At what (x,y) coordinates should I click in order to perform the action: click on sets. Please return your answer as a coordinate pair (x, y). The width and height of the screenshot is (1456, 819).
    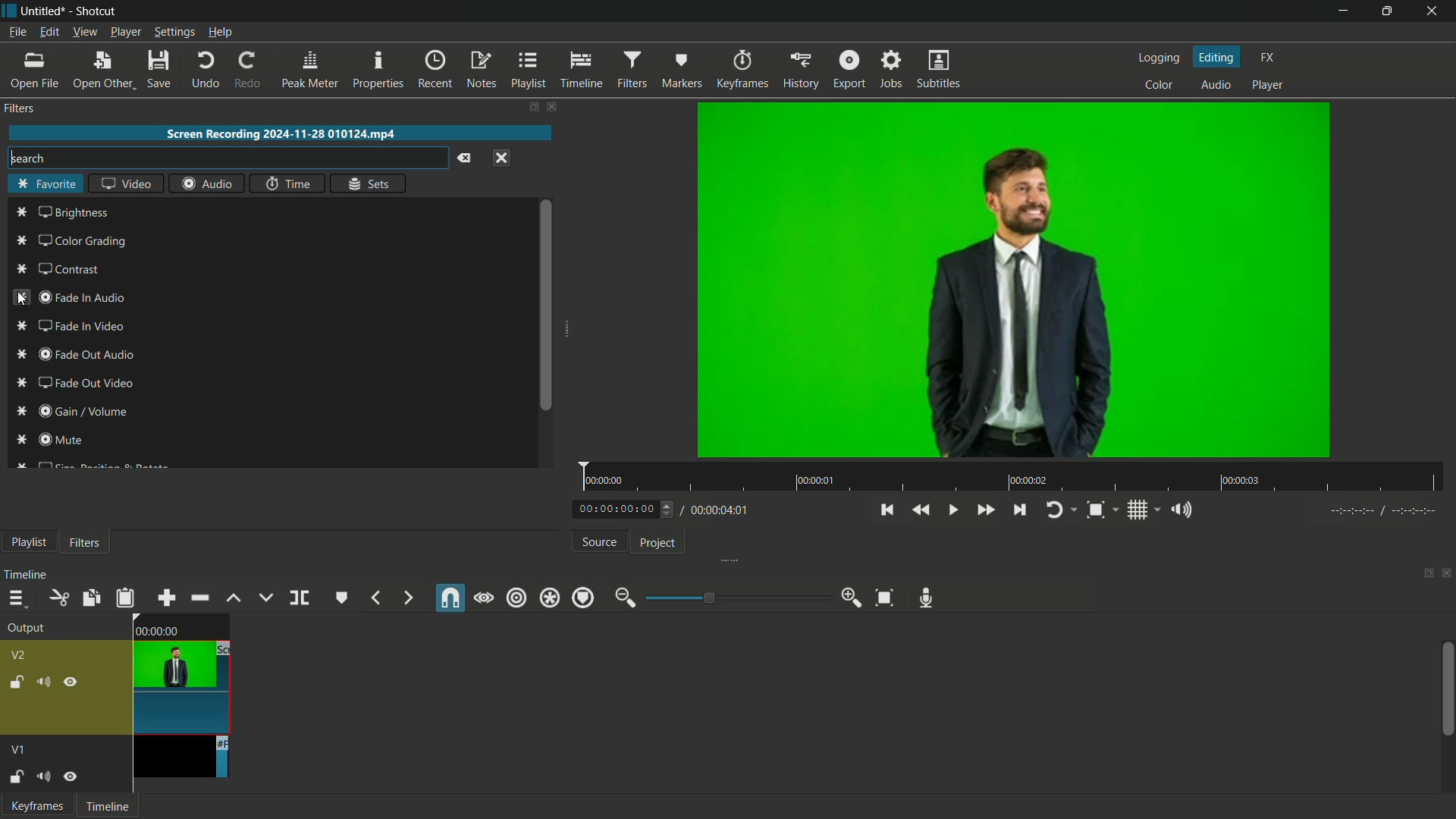
    Looking at the image, I should click on (368, 183).